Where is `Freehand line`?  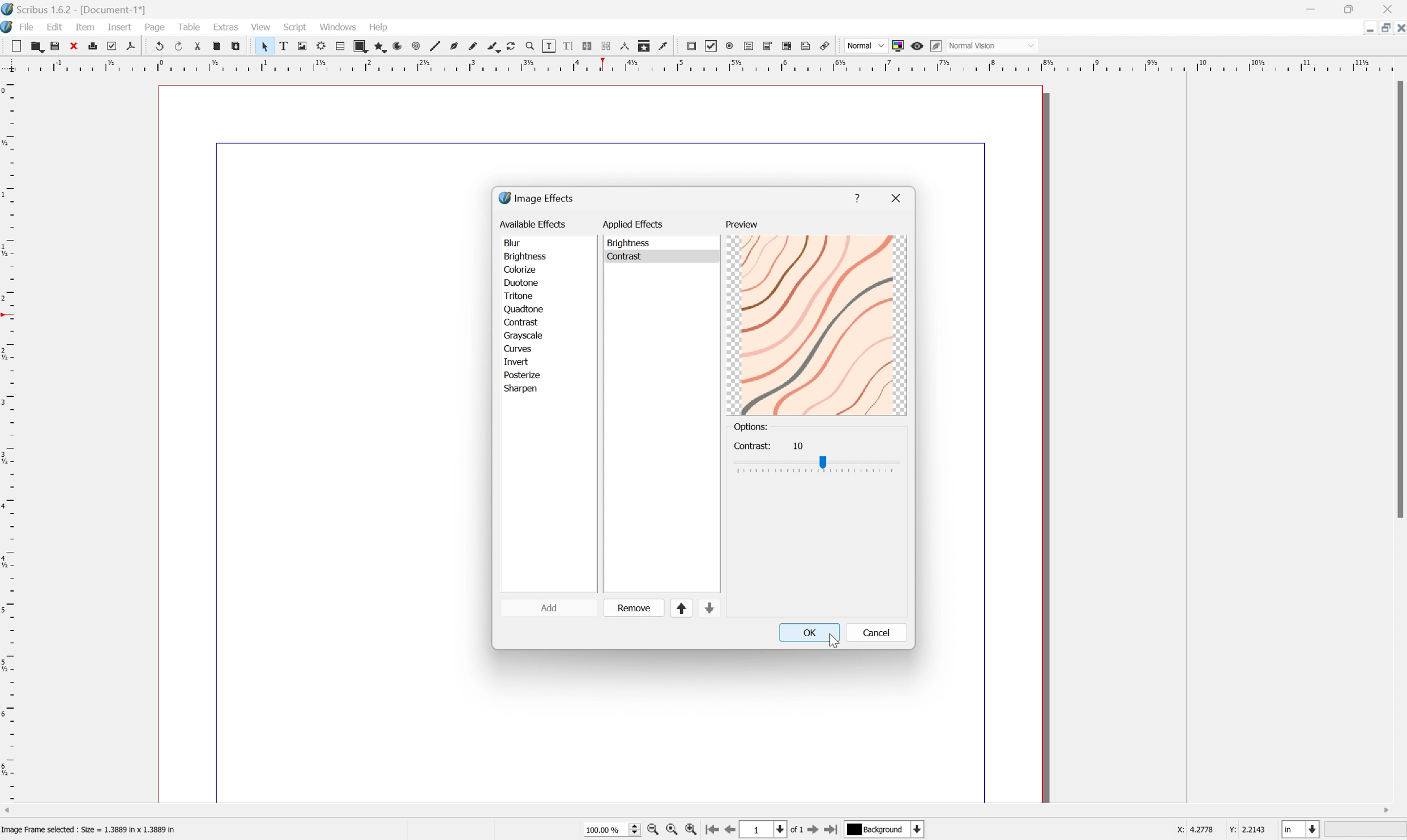 Freehand line is located at coordinates (476, 44).